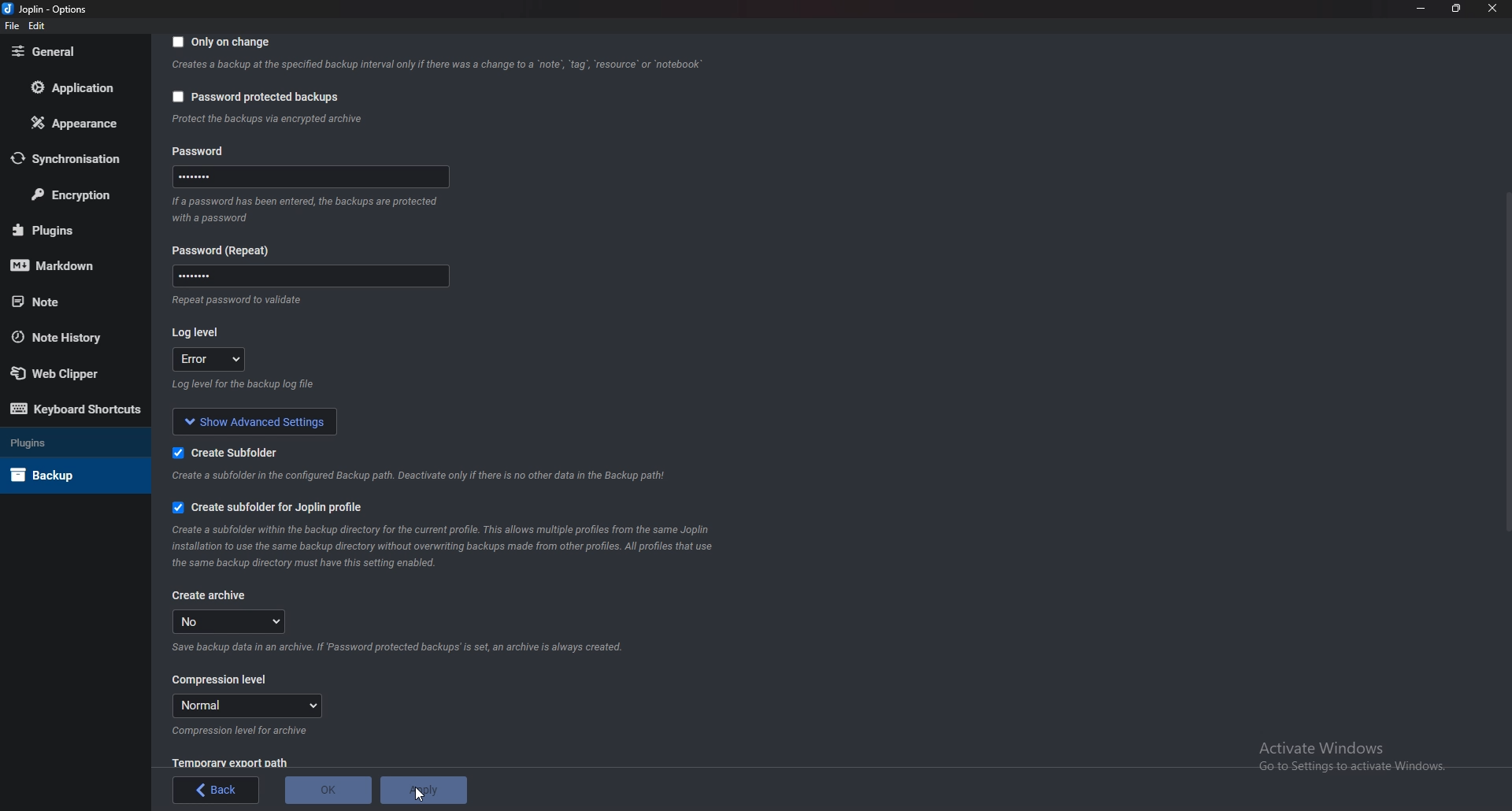 The image size is (1512, 811). Describe the element at coordinates (43, 9) in the screenshot. I see `Joplin` at that location.